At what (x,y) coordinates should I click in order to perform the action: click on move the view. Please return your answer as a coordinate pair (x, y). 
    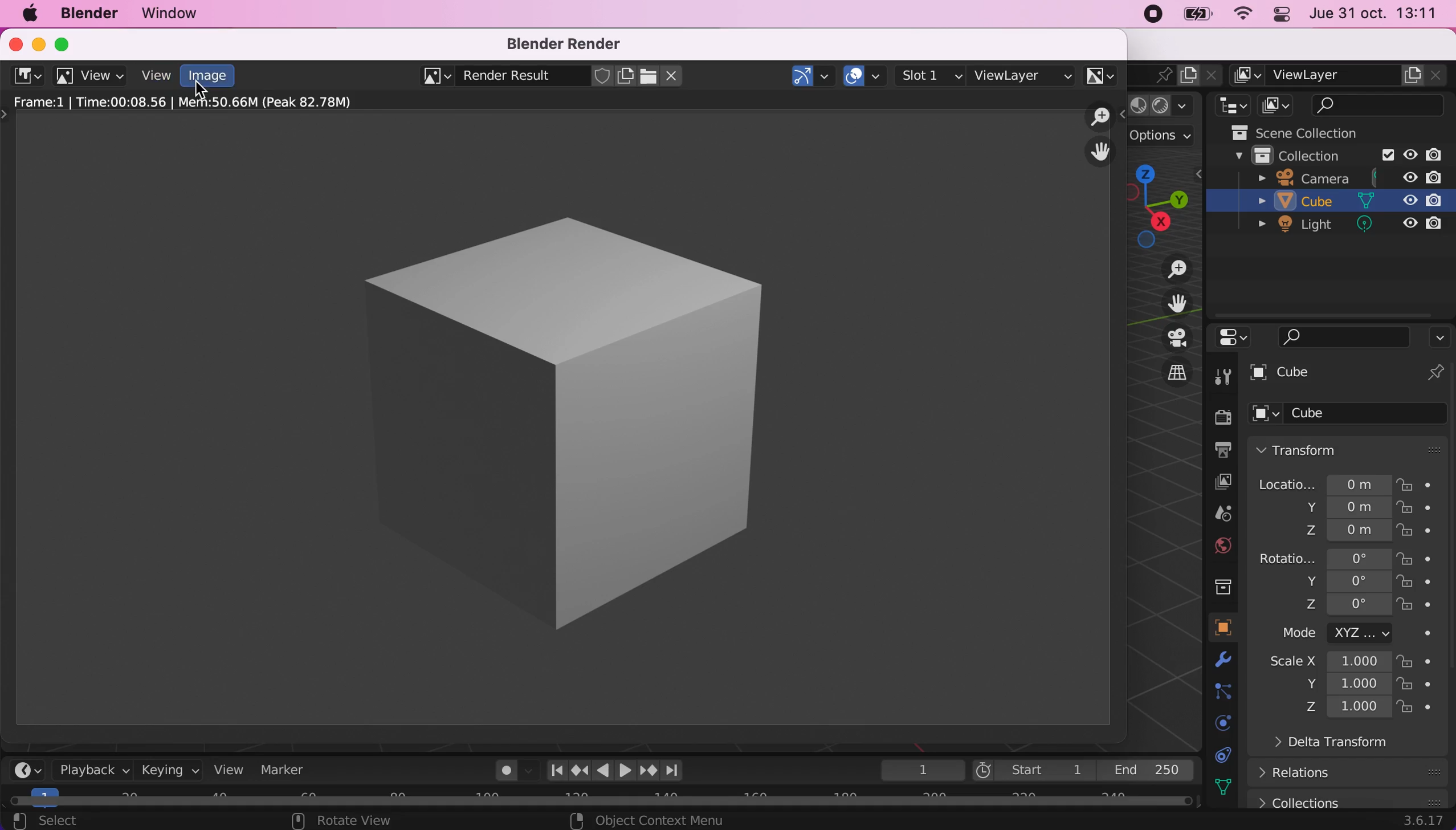
    Looking at the image, I should click on (1100, 152).